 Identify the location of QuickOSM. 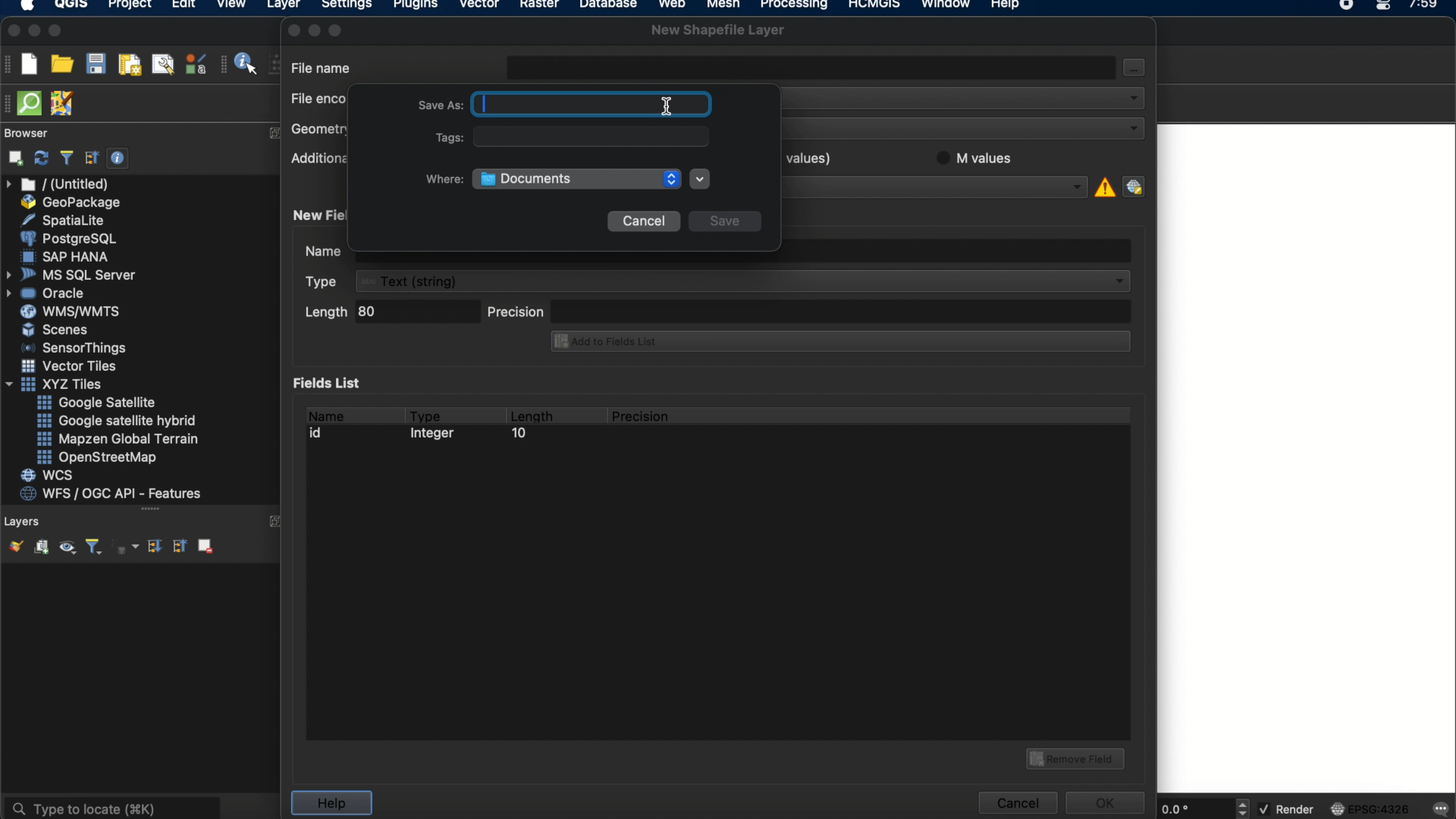
(33, 103).